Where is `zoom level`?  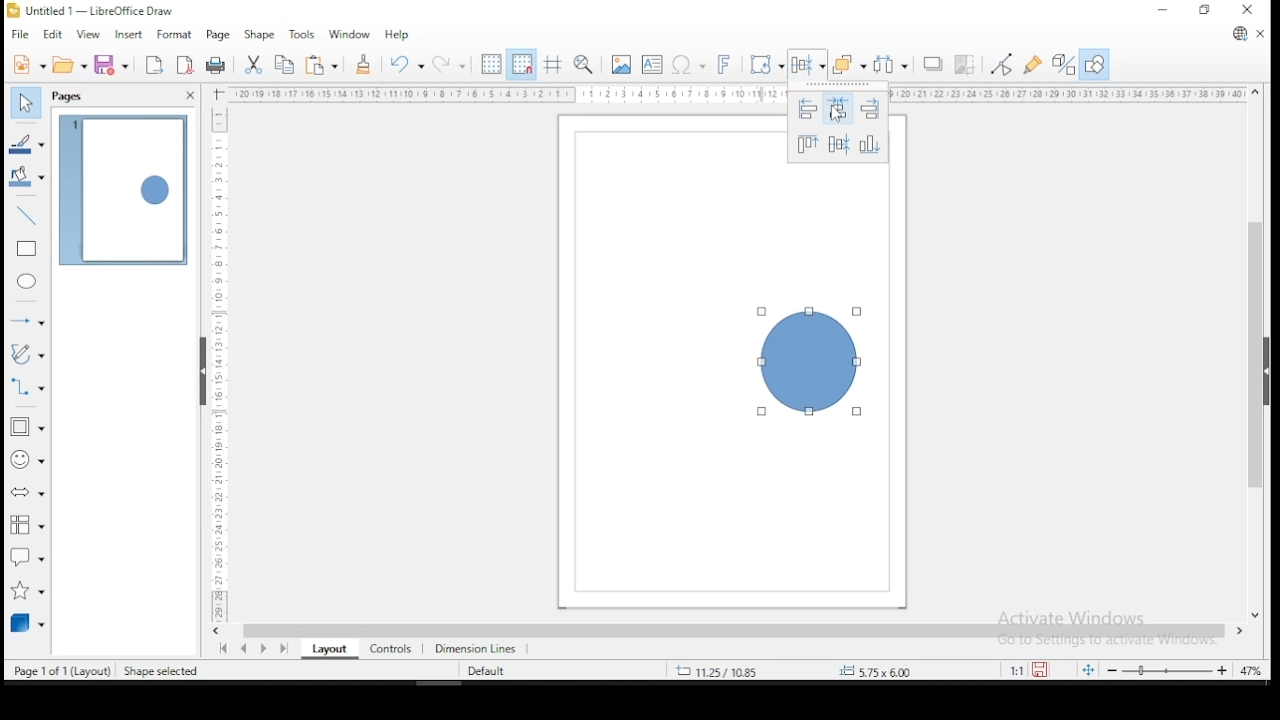
zoom level is located at coordinates (1251, 673).